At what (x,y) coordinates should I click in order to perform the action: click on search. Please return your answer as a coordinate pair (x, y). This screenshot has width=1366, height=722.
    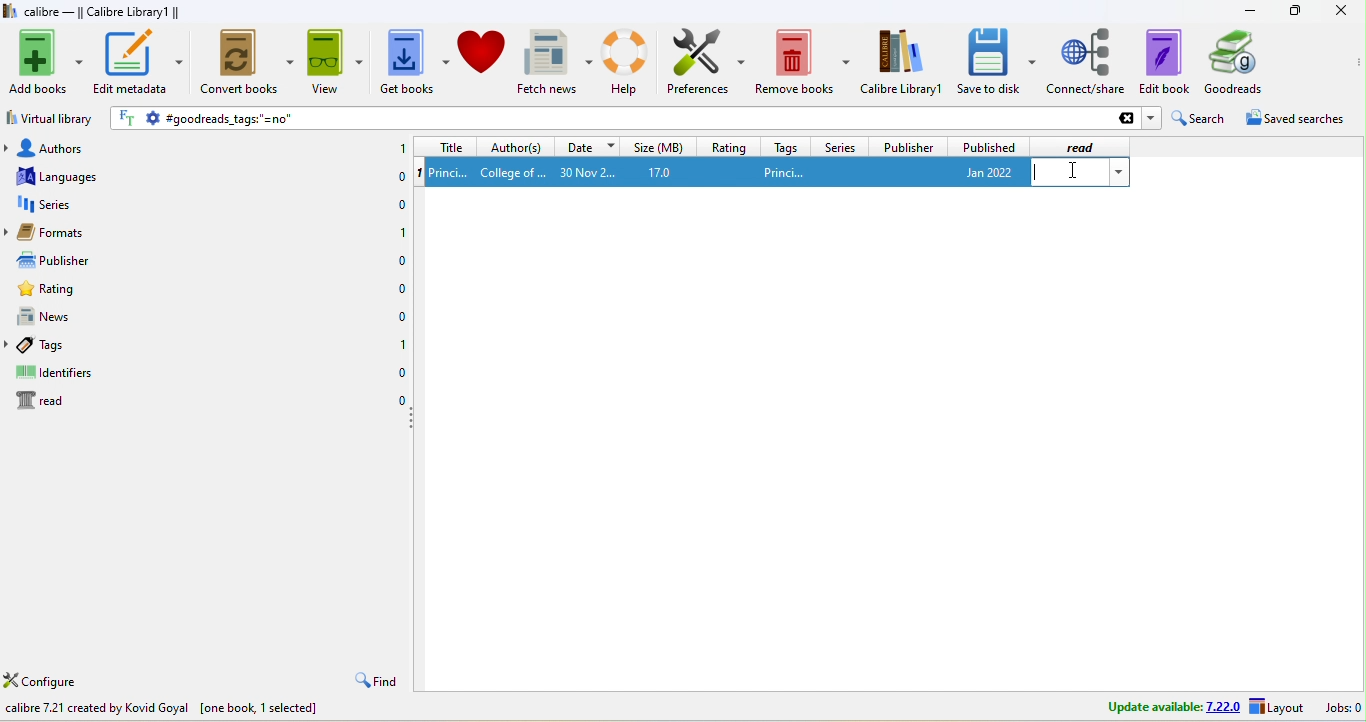
    Looking at the image, I should click on (1197, 118).